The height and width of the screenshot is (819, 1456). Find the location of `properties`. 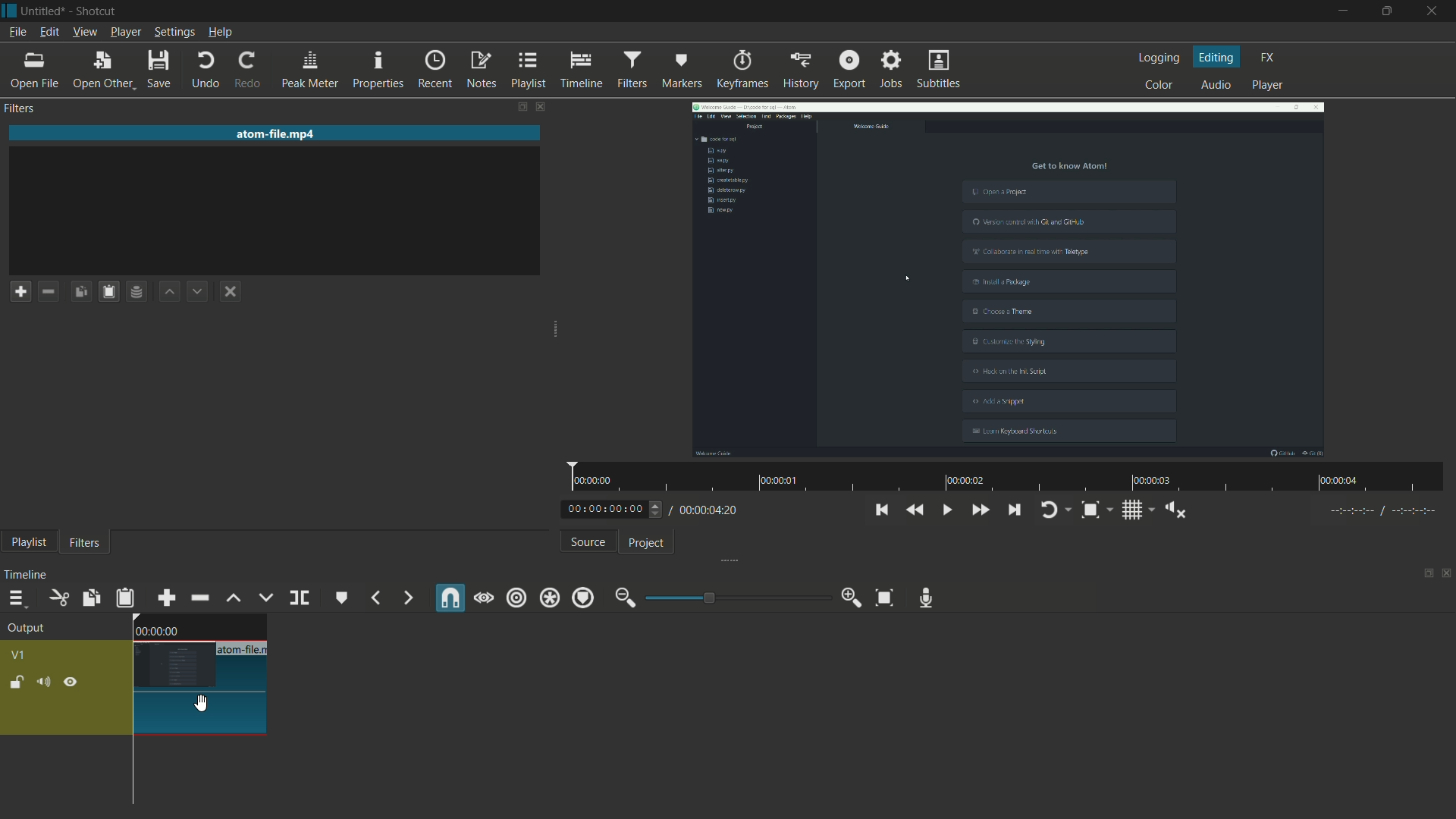

properties is located at coordinates (378, 68).